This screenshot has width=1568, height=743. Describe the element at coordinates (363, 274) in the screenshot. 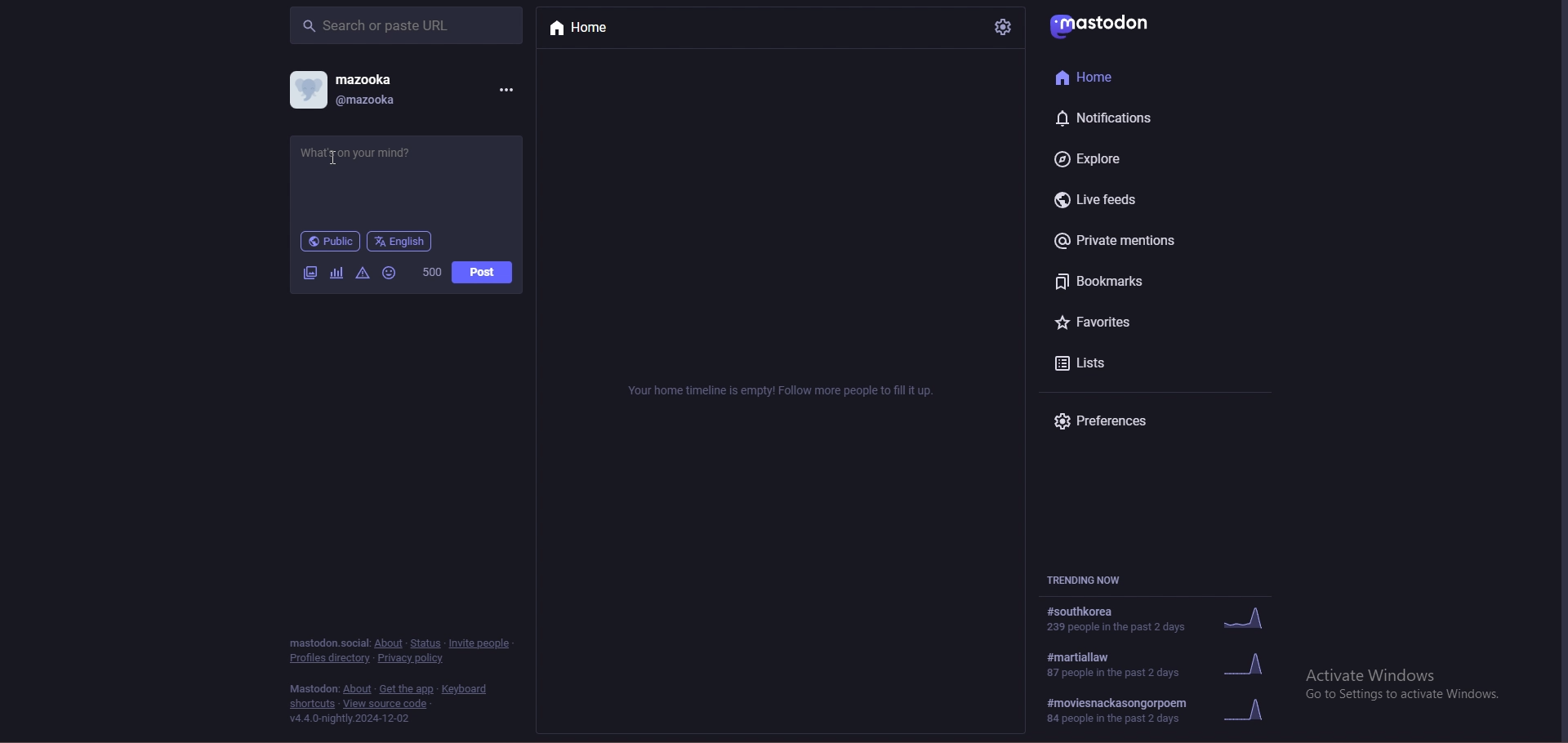

I see `warning` at that location.